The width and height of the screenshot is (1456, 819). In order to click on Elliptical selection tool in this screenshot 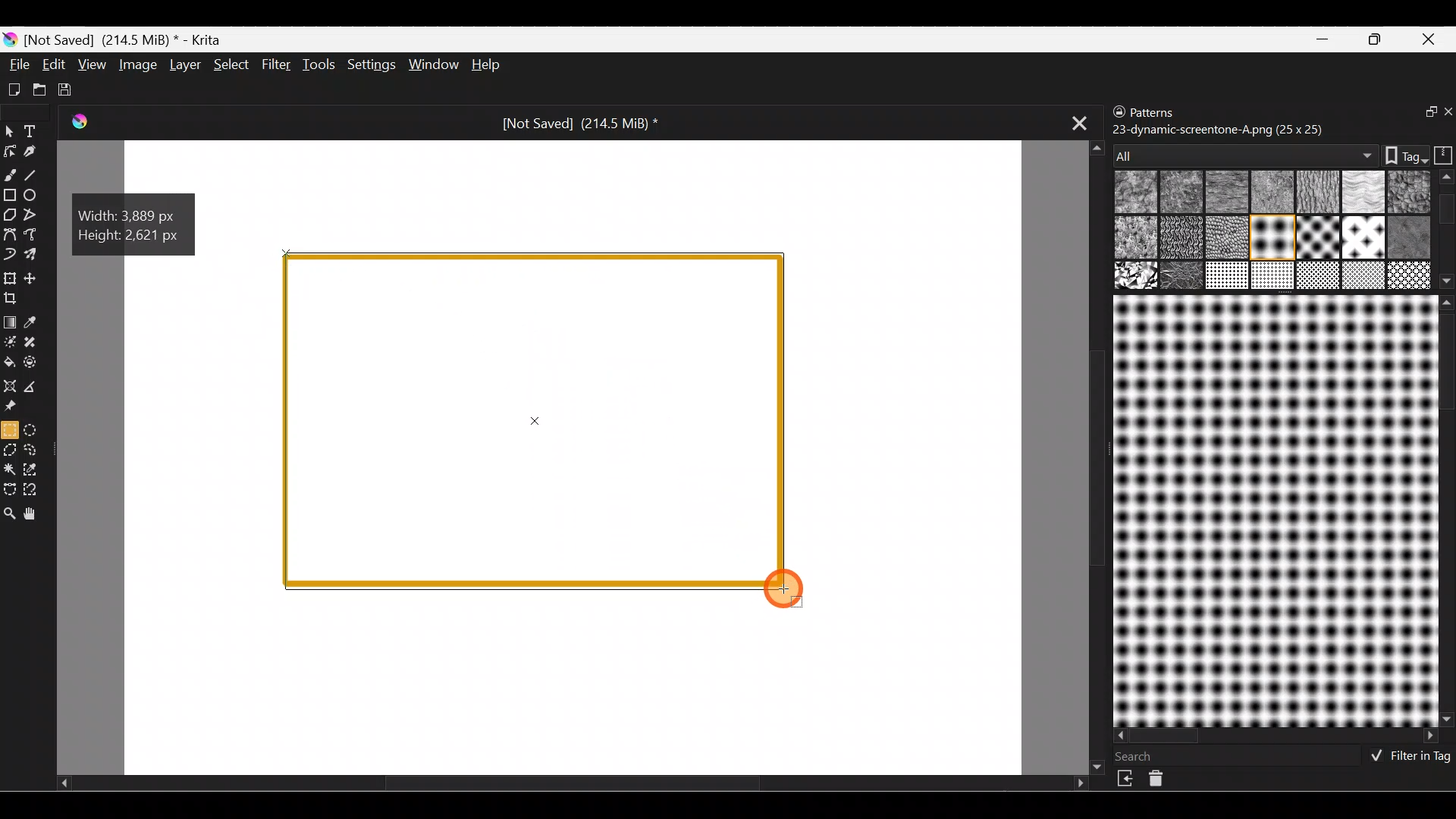, I will do `click(35, 429)`.